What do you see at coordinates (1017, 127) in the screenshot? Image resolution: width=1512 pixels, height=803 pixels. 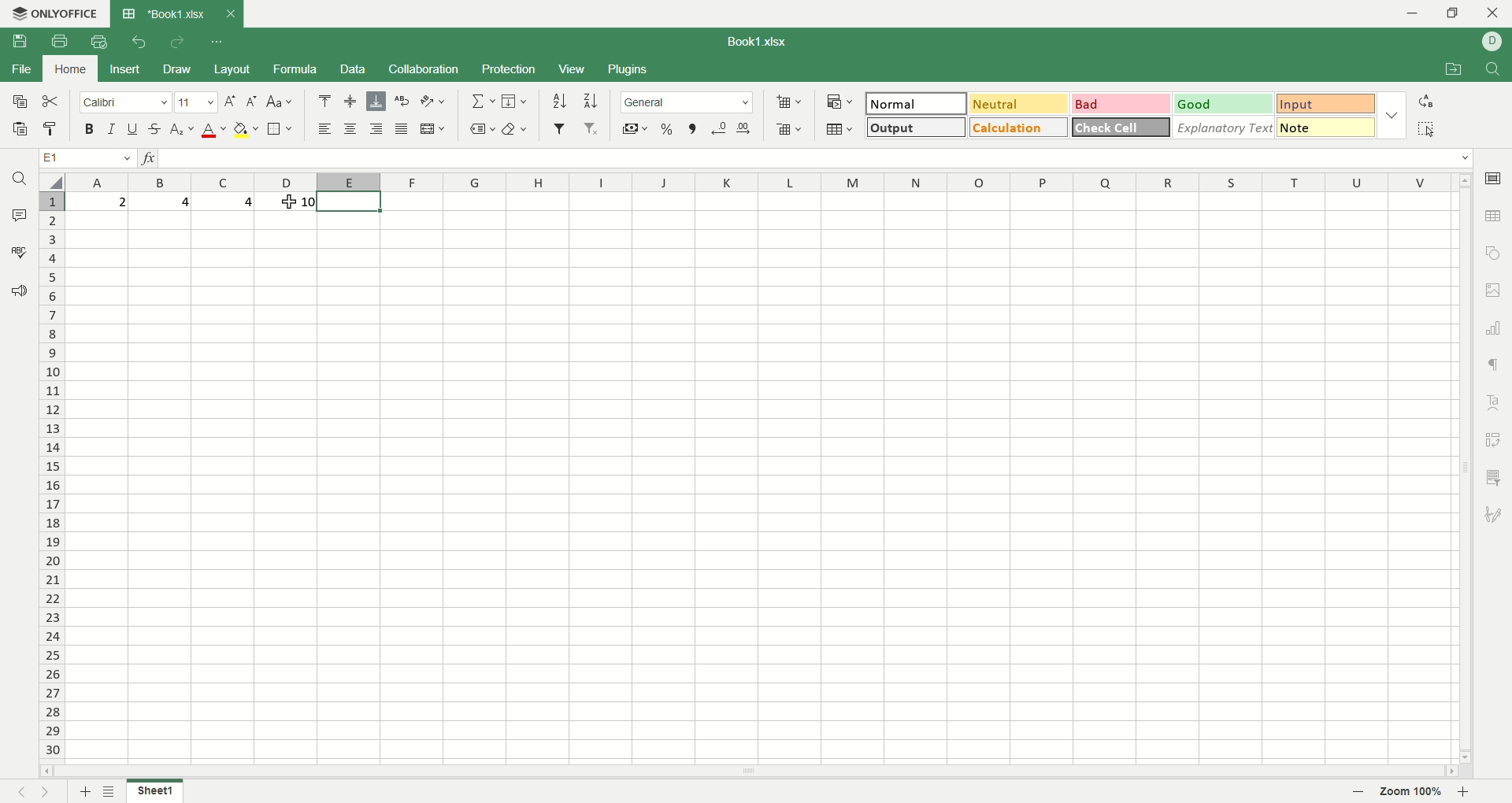 I see `calculation` at bounding box center [1017, 127].